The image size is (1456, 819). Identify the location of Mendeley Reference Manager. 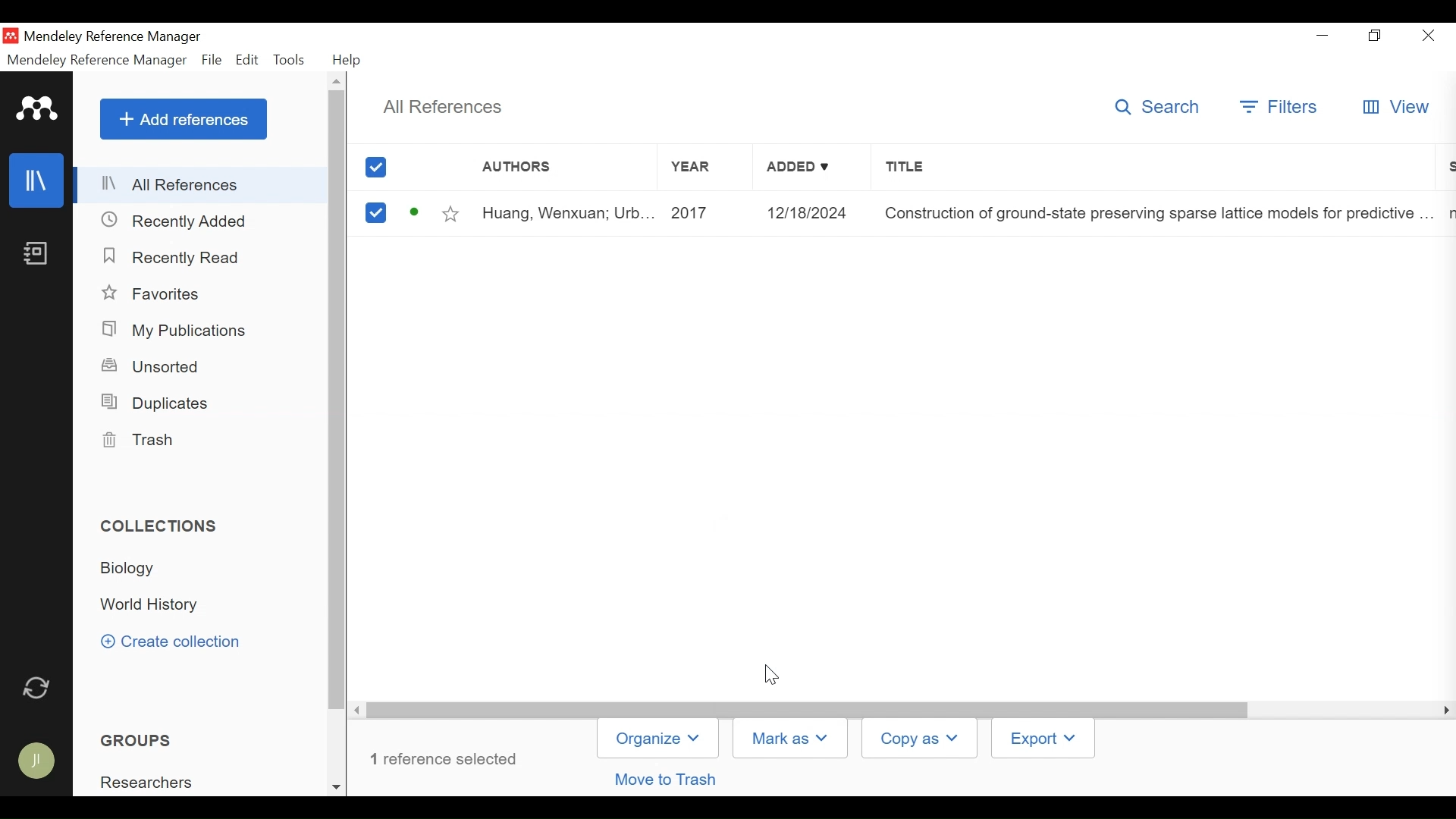
(96, 61).